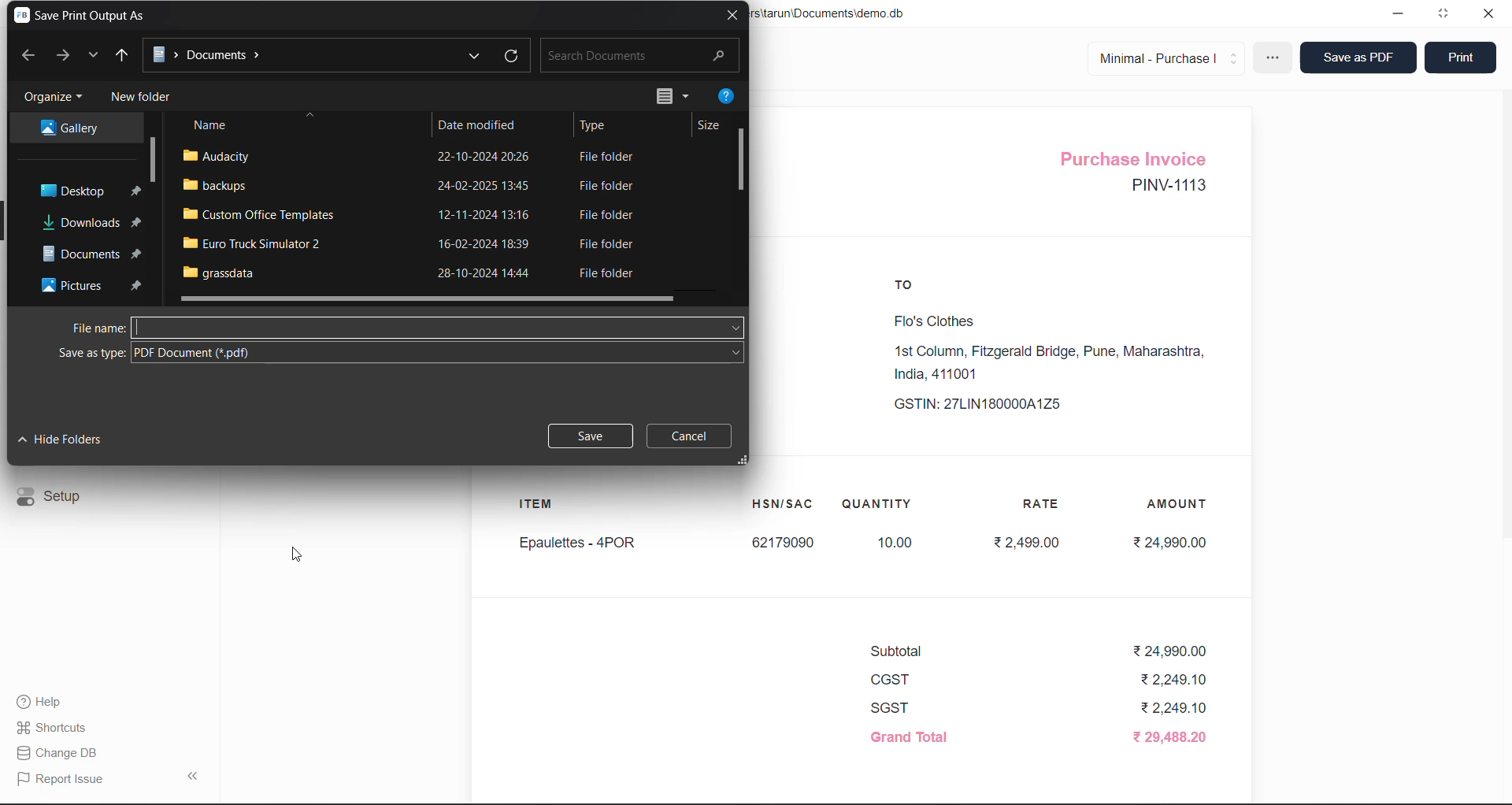  Describe the element at coordinates (691, 438) in the screenshot. I see `Cancel` at that location.